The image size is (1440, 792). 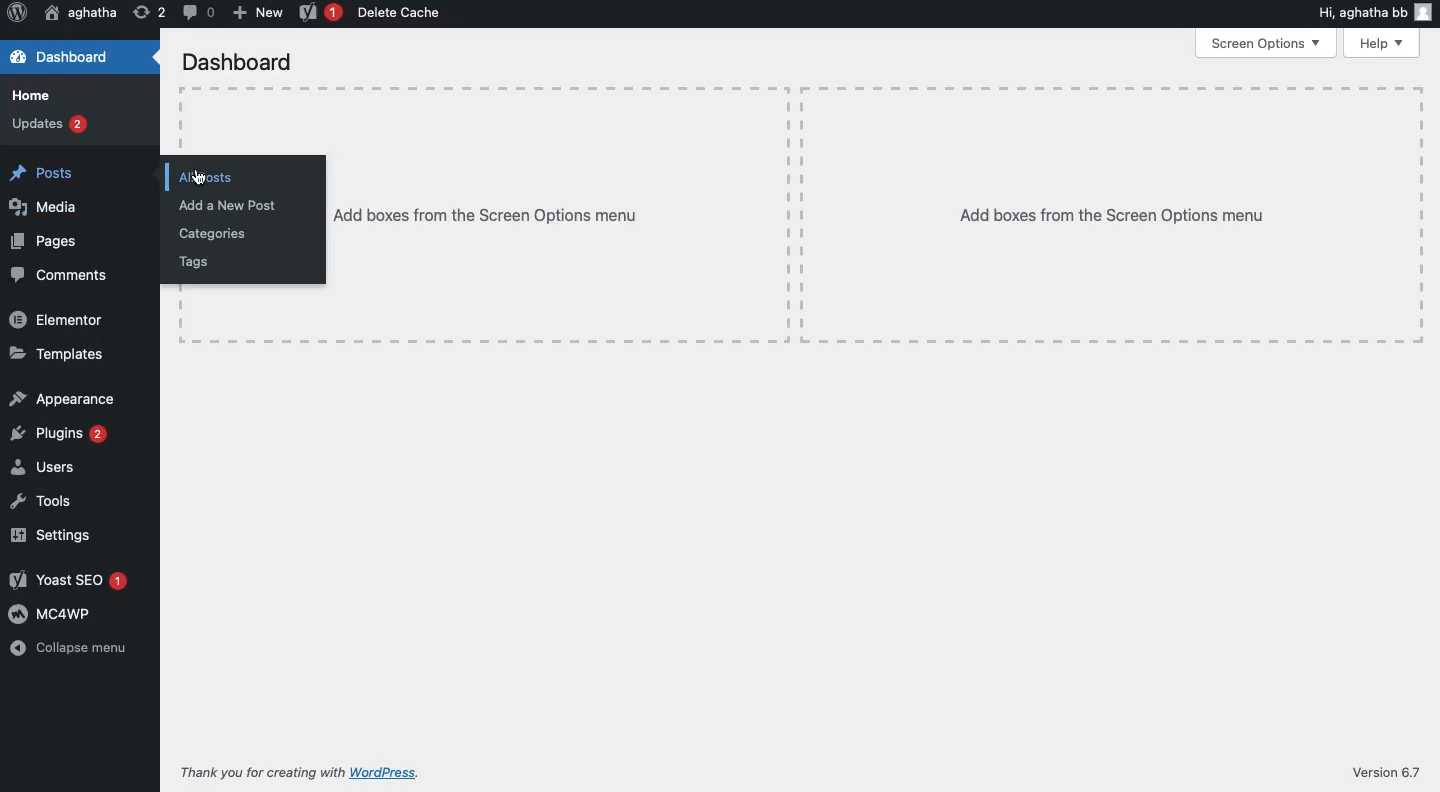 What do you see at coordinates (80, 13) in the screenshot?
I see `Home aghatha` at bounding box center [80, 13].